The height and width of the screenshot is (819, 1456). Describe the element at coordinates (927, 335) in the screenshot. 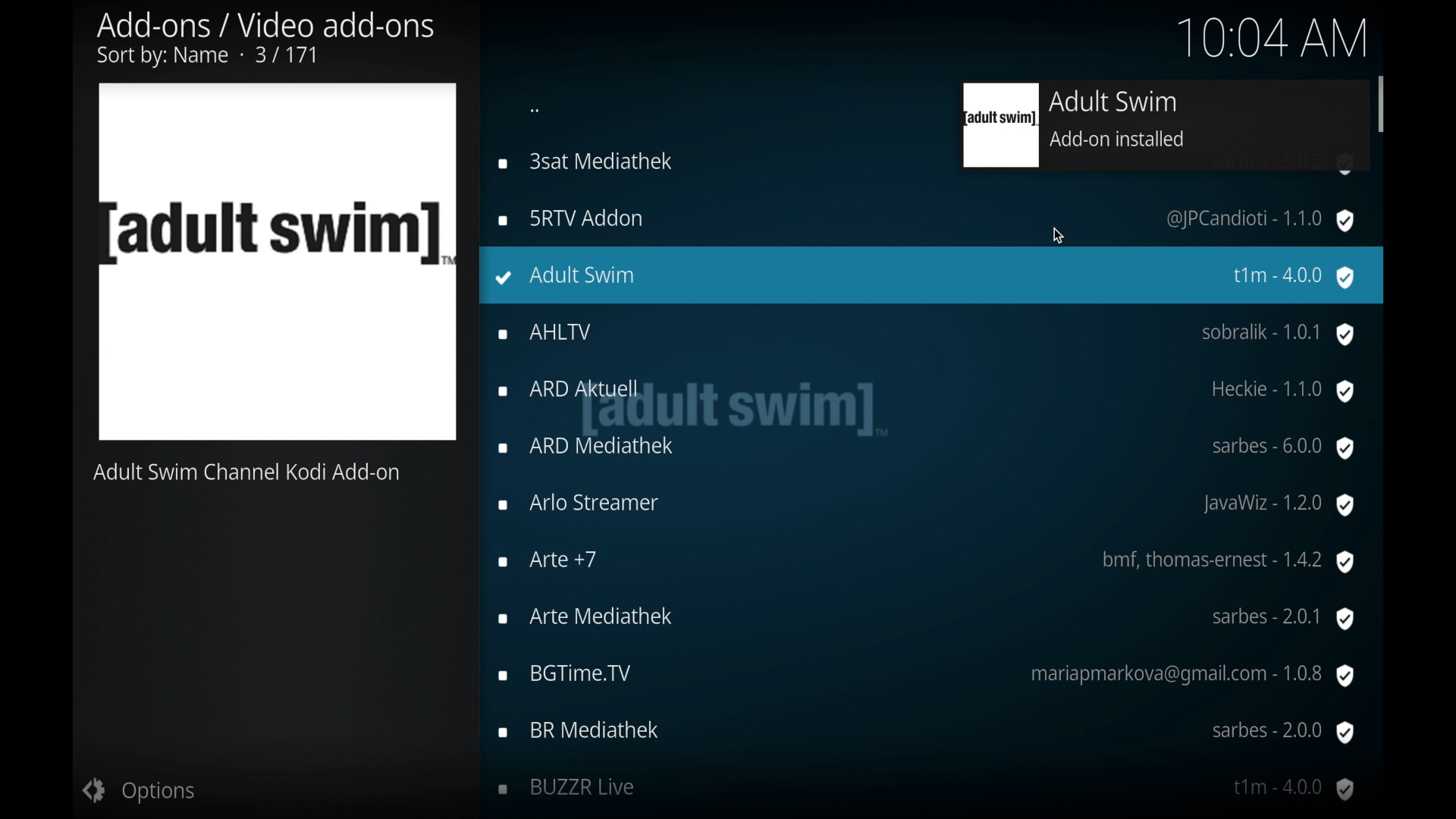

I see `ahltv` at that location.